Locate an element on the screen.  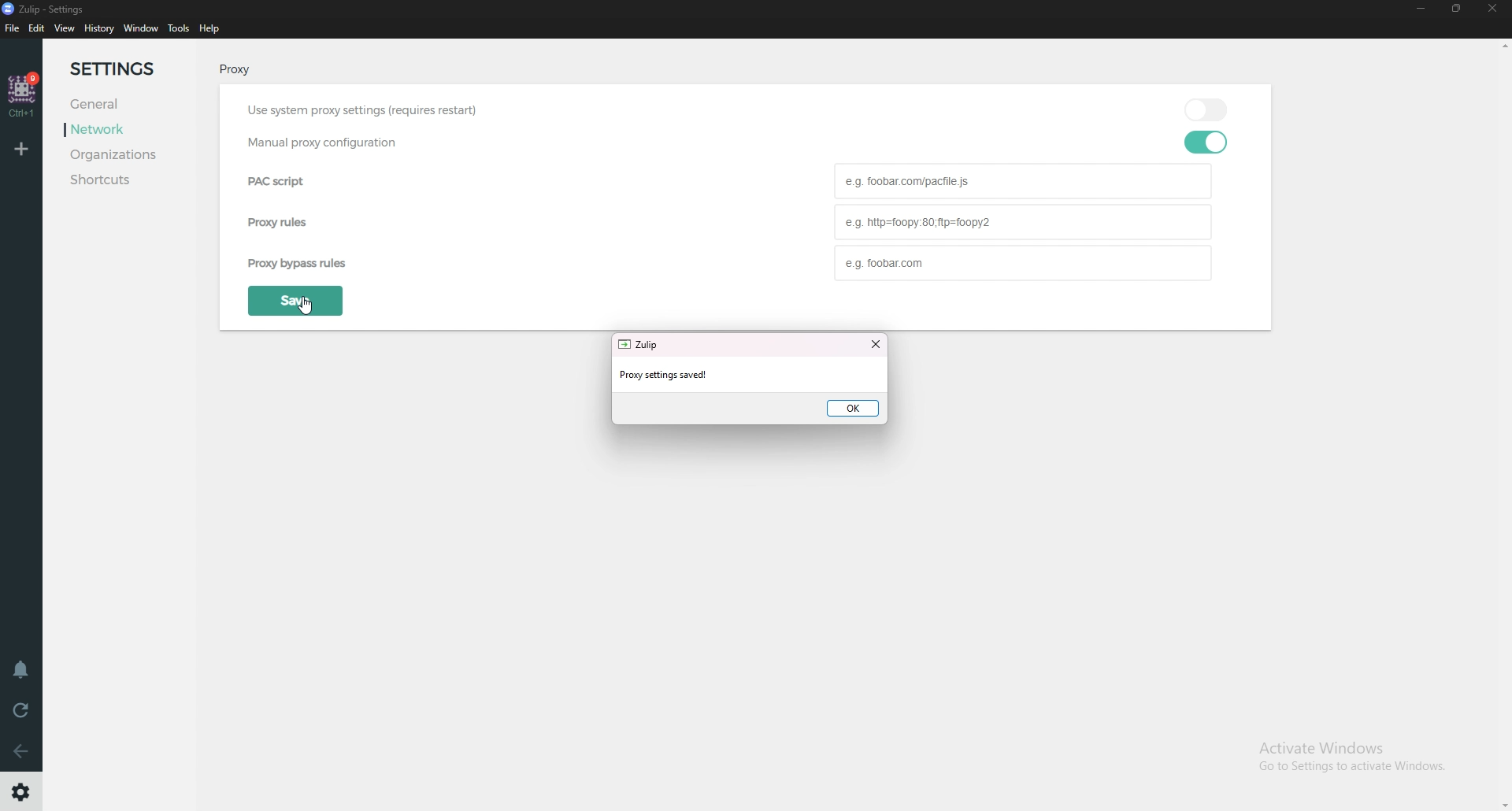
Tools is located at coordinates (179, 28).